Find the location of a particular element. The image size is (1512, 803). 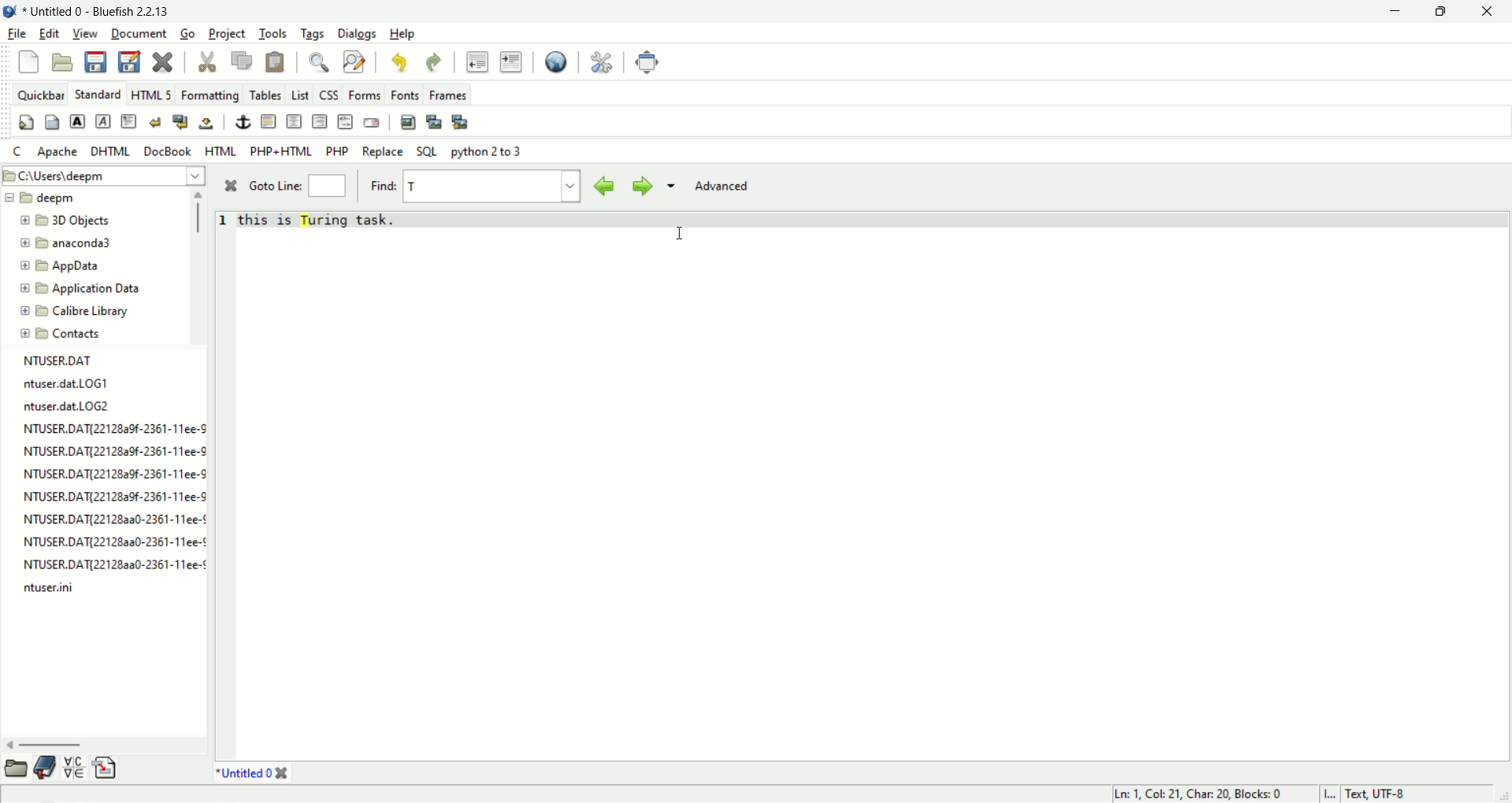

CSS is located at coordinates (330, 96).